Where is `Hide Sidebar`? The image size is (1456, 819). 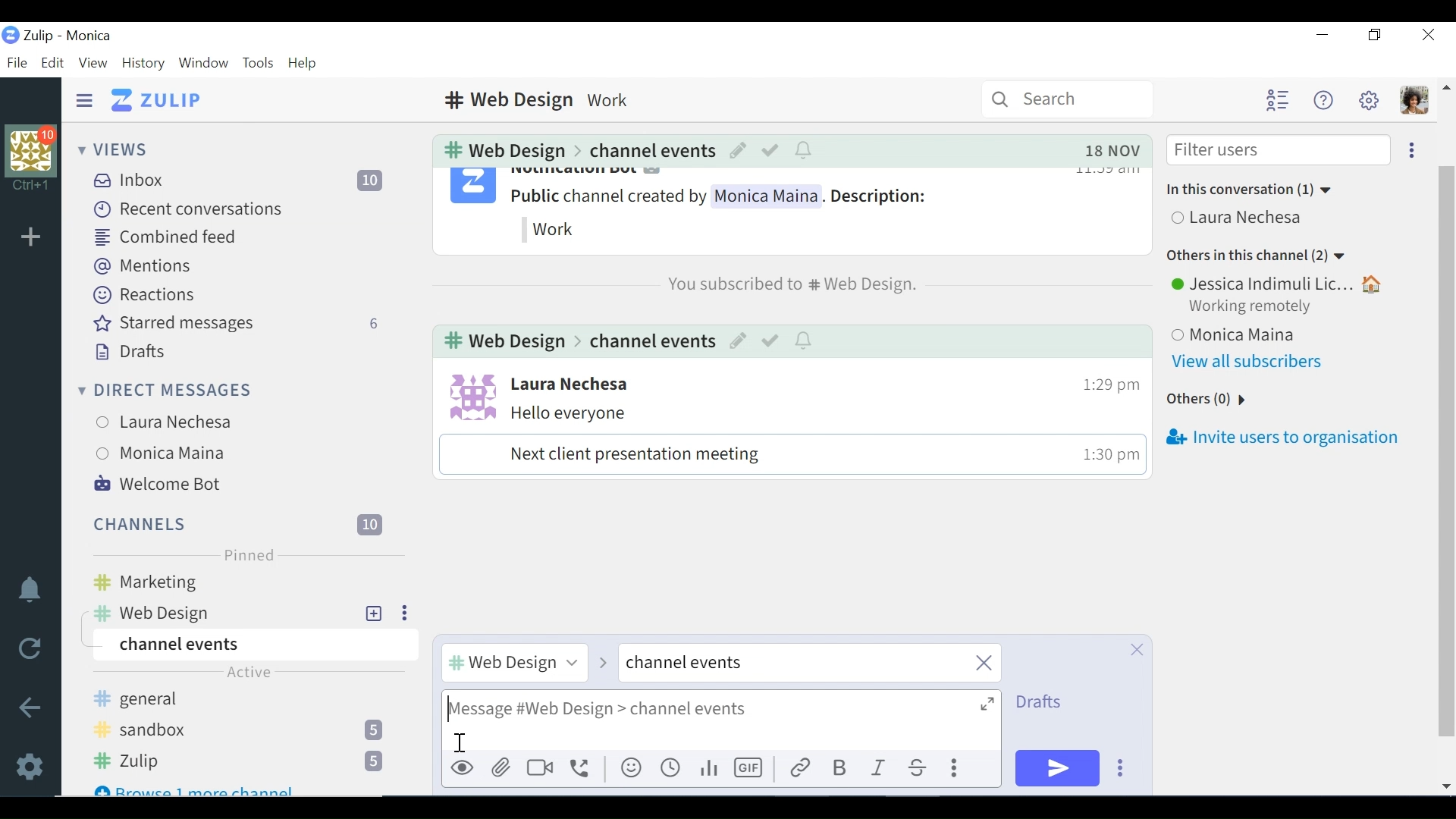 Hide Sidebar is located at coordinates (84, 99).